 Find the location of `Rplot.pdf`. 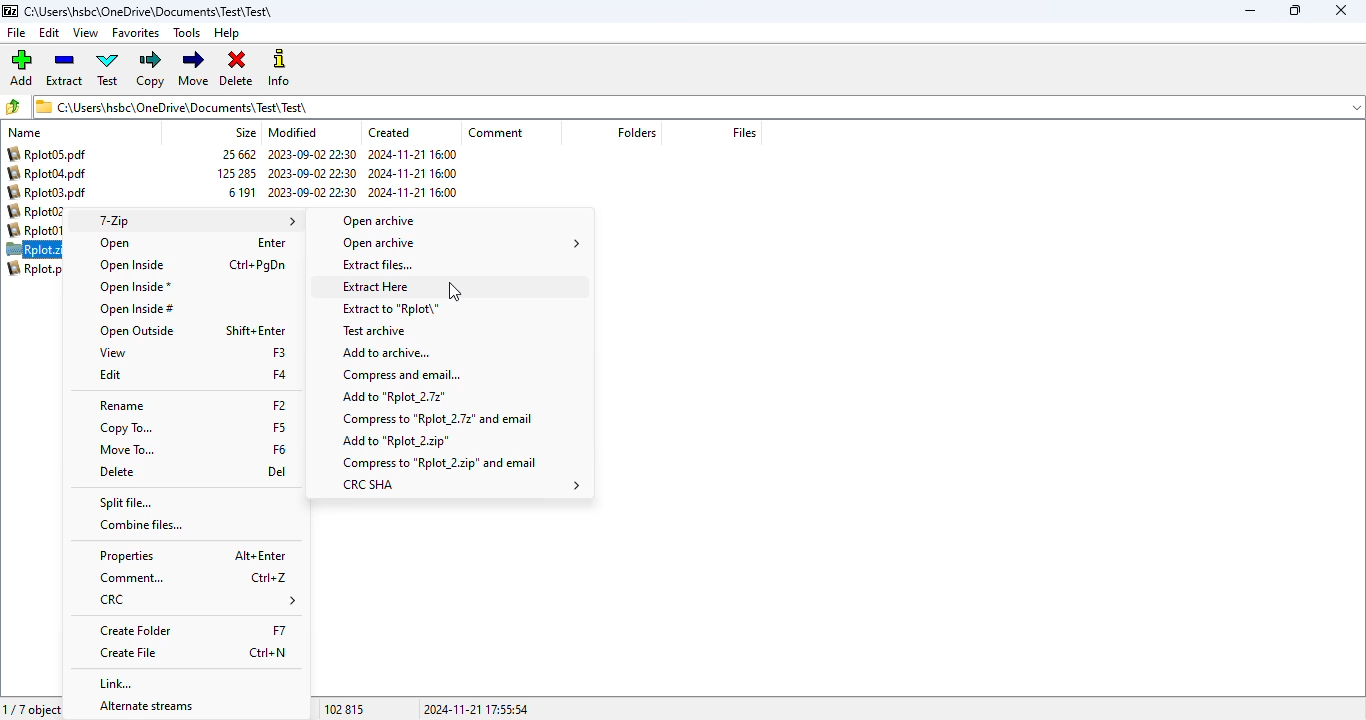

Rplot.pdf is located at coordinates (38, 268).